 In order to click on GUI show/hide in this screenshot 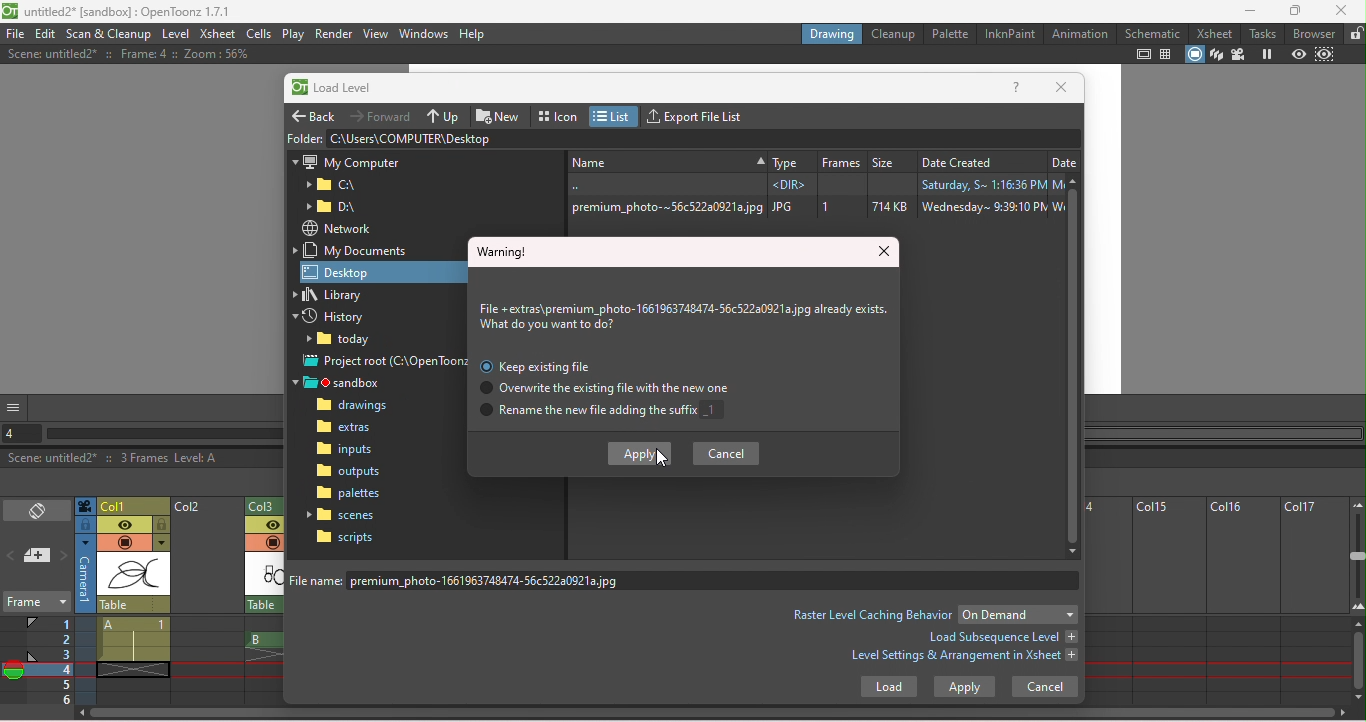, I will do `click(15, 407)`.